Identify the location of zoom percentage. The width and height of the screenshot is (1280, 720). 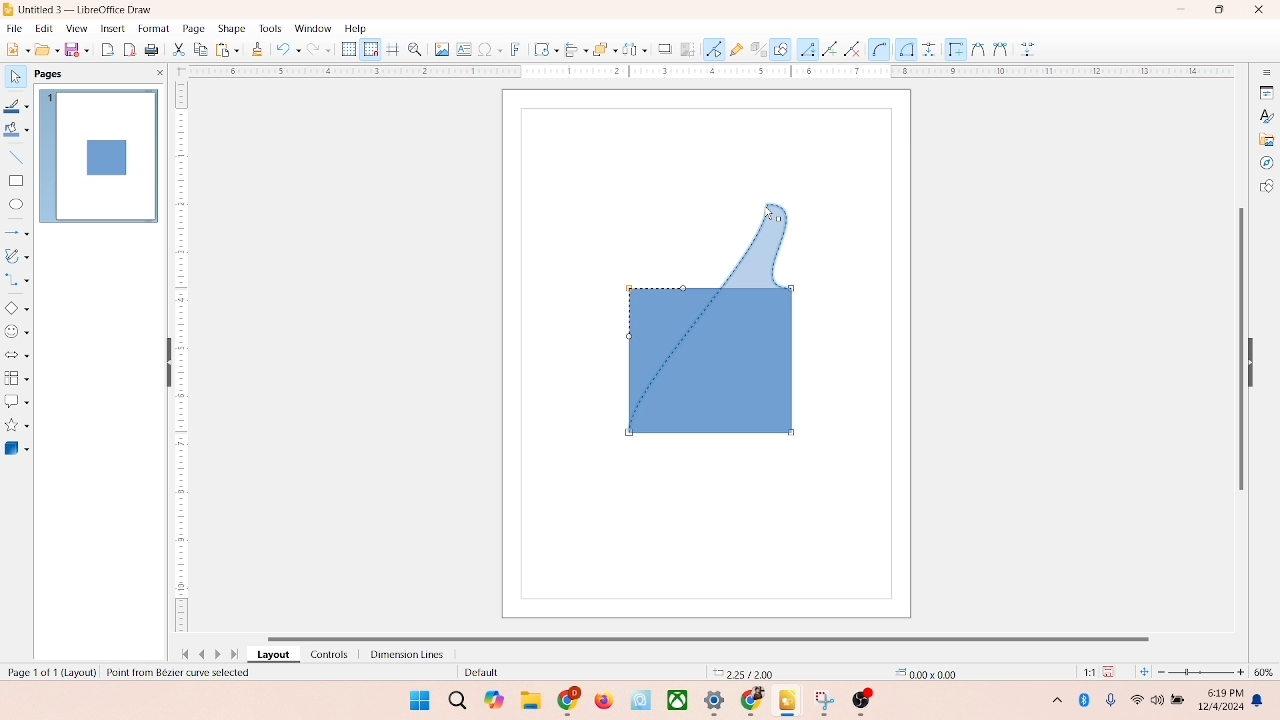
(1267, 672).